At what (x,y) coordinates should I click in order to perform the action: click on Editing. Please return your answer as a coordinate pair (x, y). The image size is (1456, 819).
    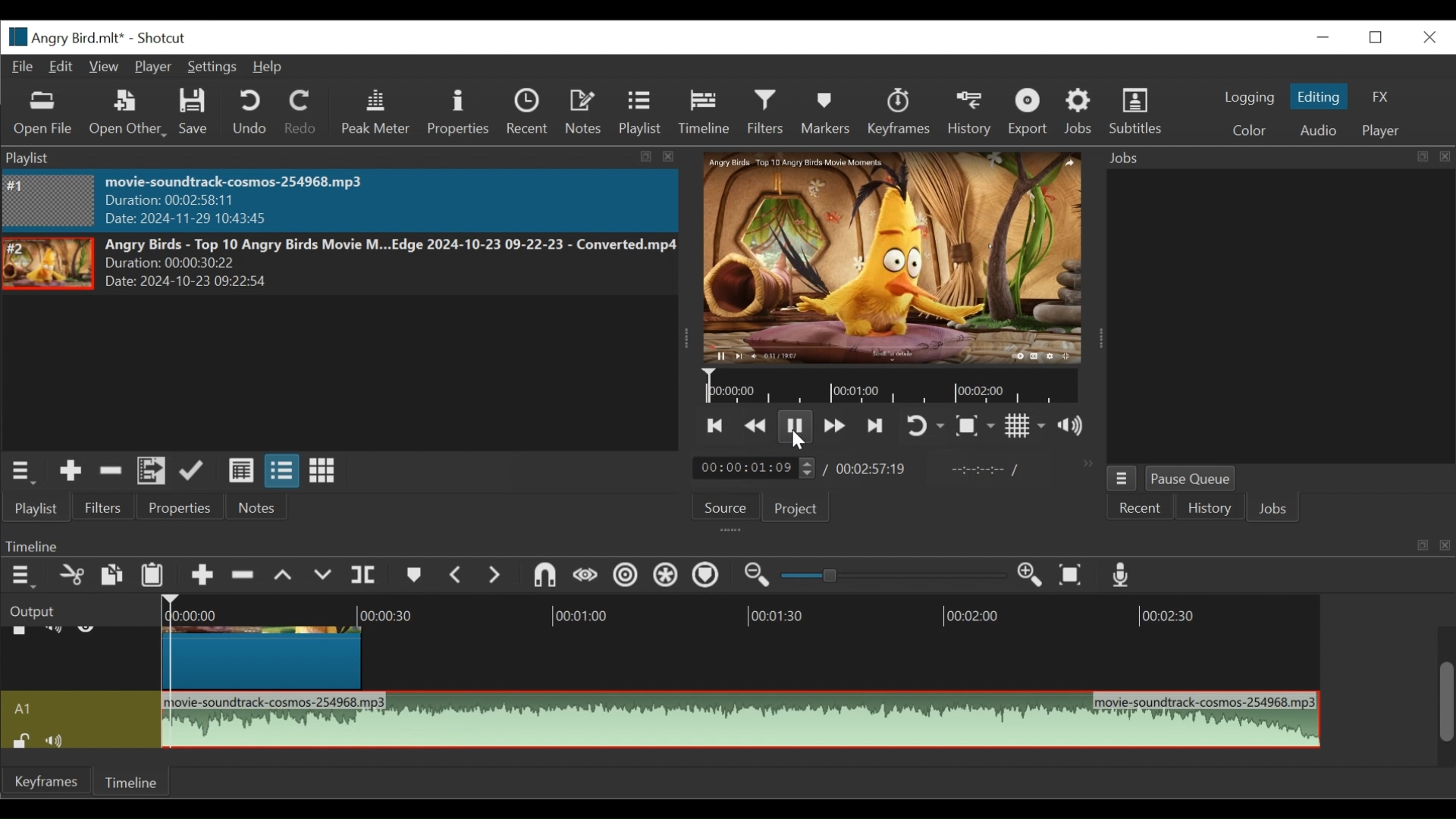
    Looking at the image, I should click on (1319, 97).